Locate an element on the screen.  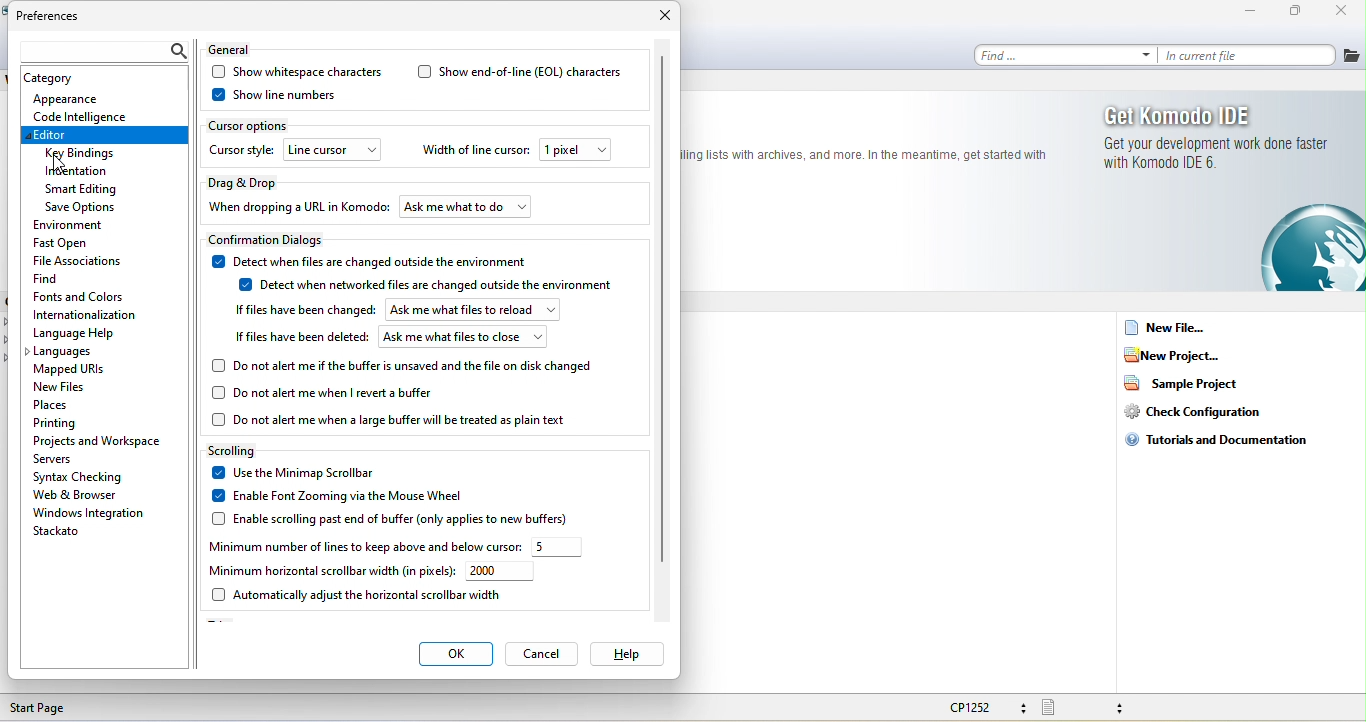
mapped urls is located at coordinates (74, 370).